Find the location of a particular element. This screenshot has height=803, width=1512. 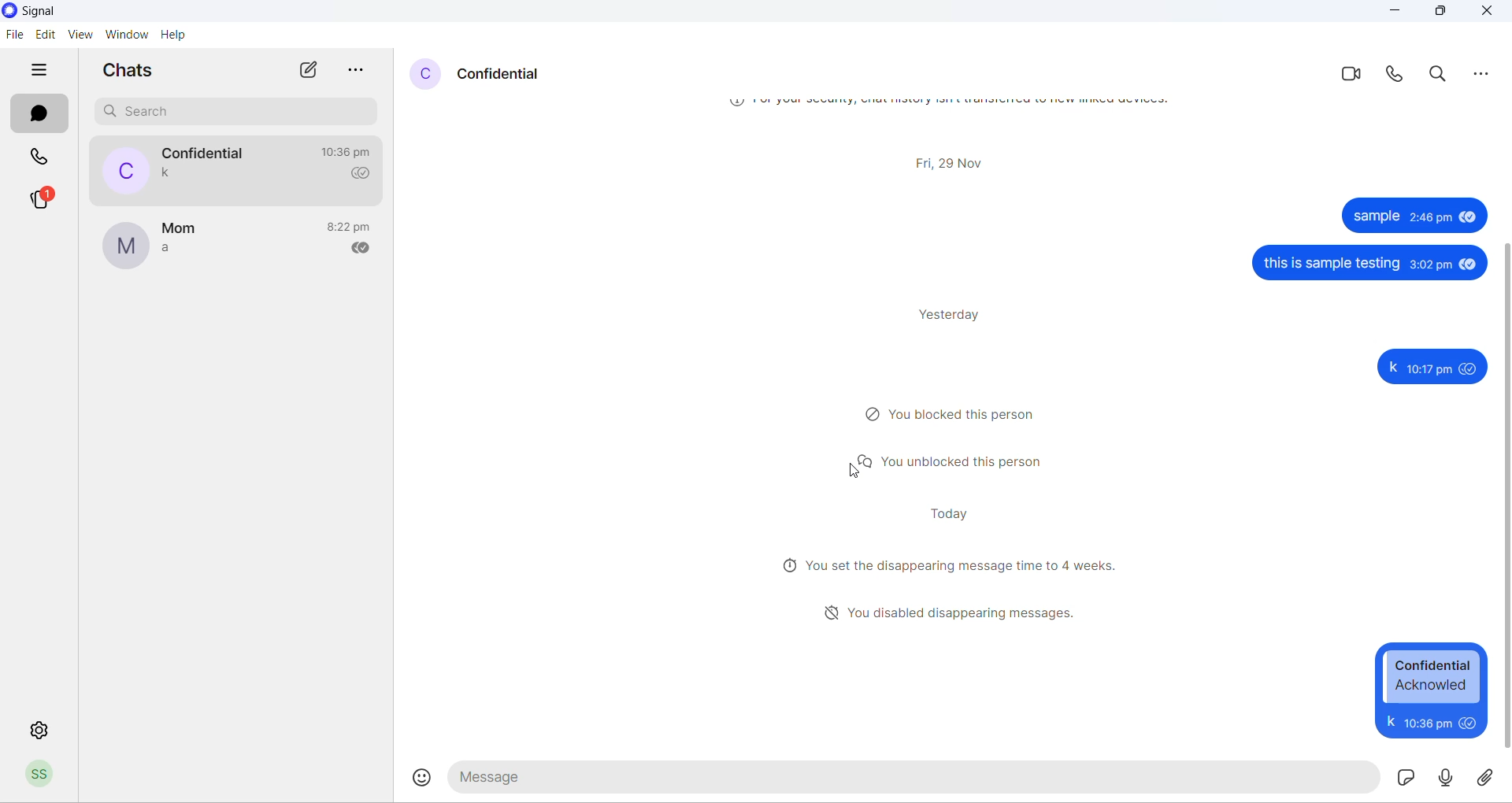

search chats is located at coordinates (243, 112).